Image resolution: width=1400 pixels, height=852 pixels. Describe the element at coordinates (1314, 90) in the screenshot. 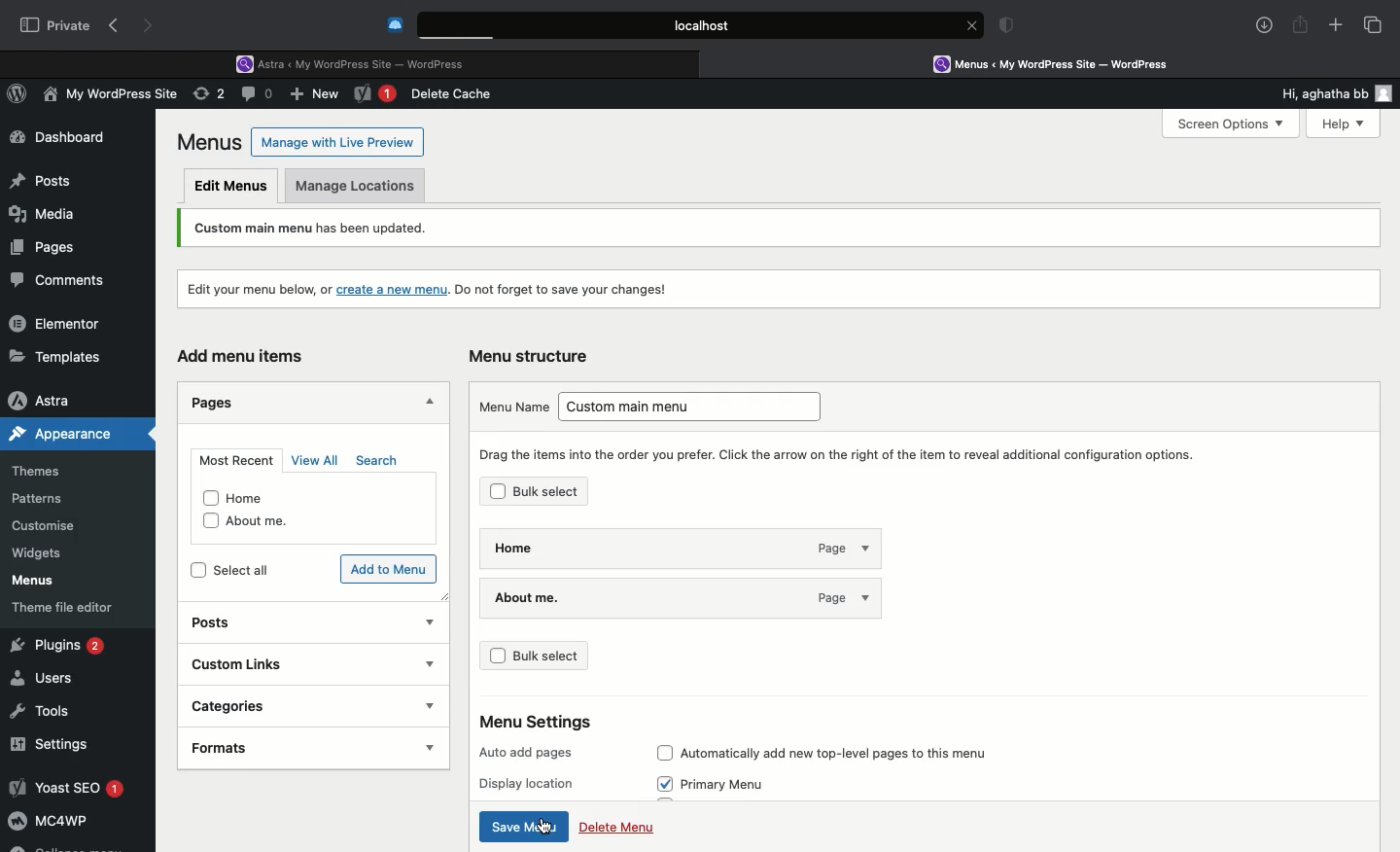

I see `Hi, aghatha bb` at that location.